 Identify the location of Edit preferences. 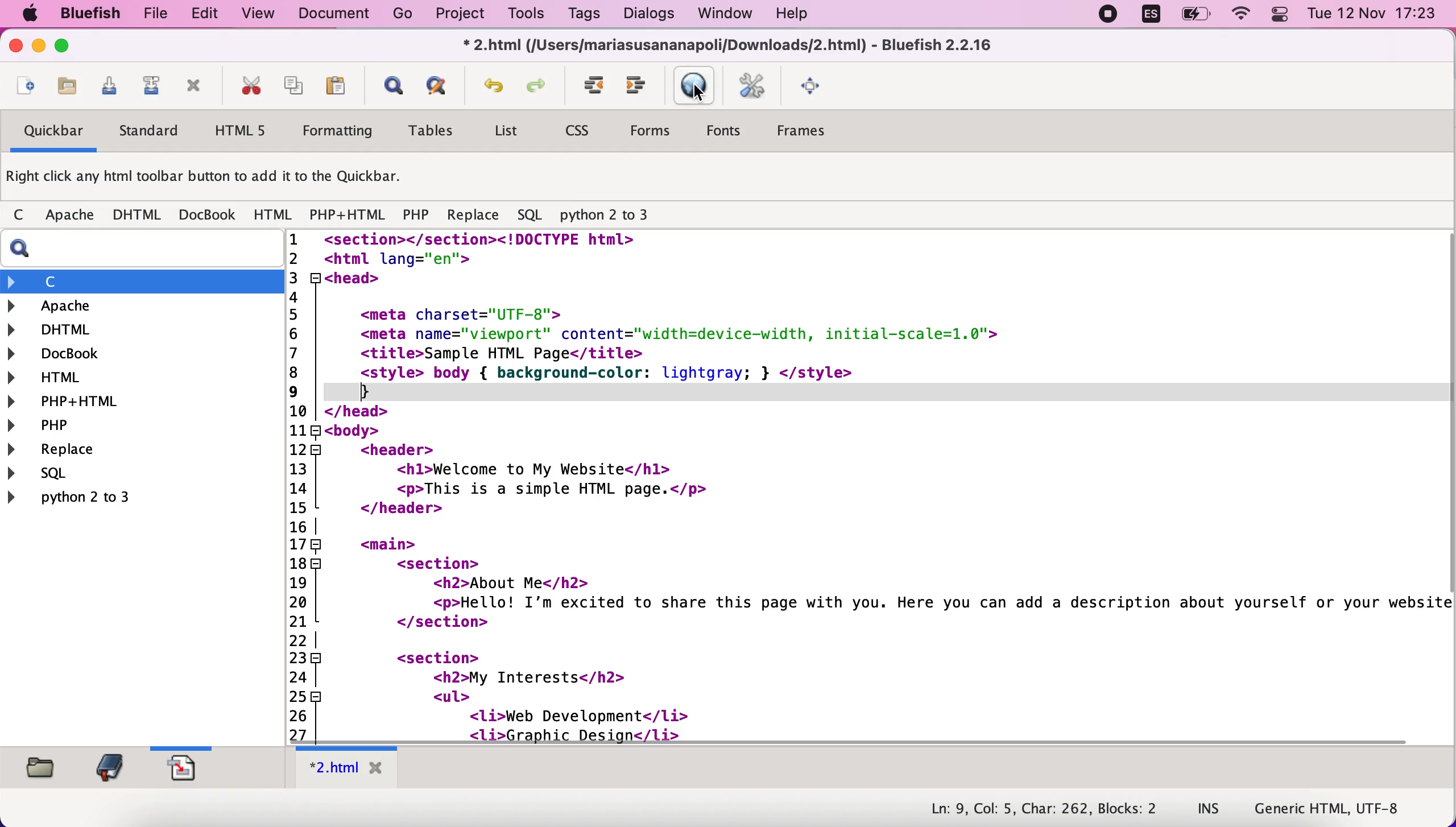
(758, 87).